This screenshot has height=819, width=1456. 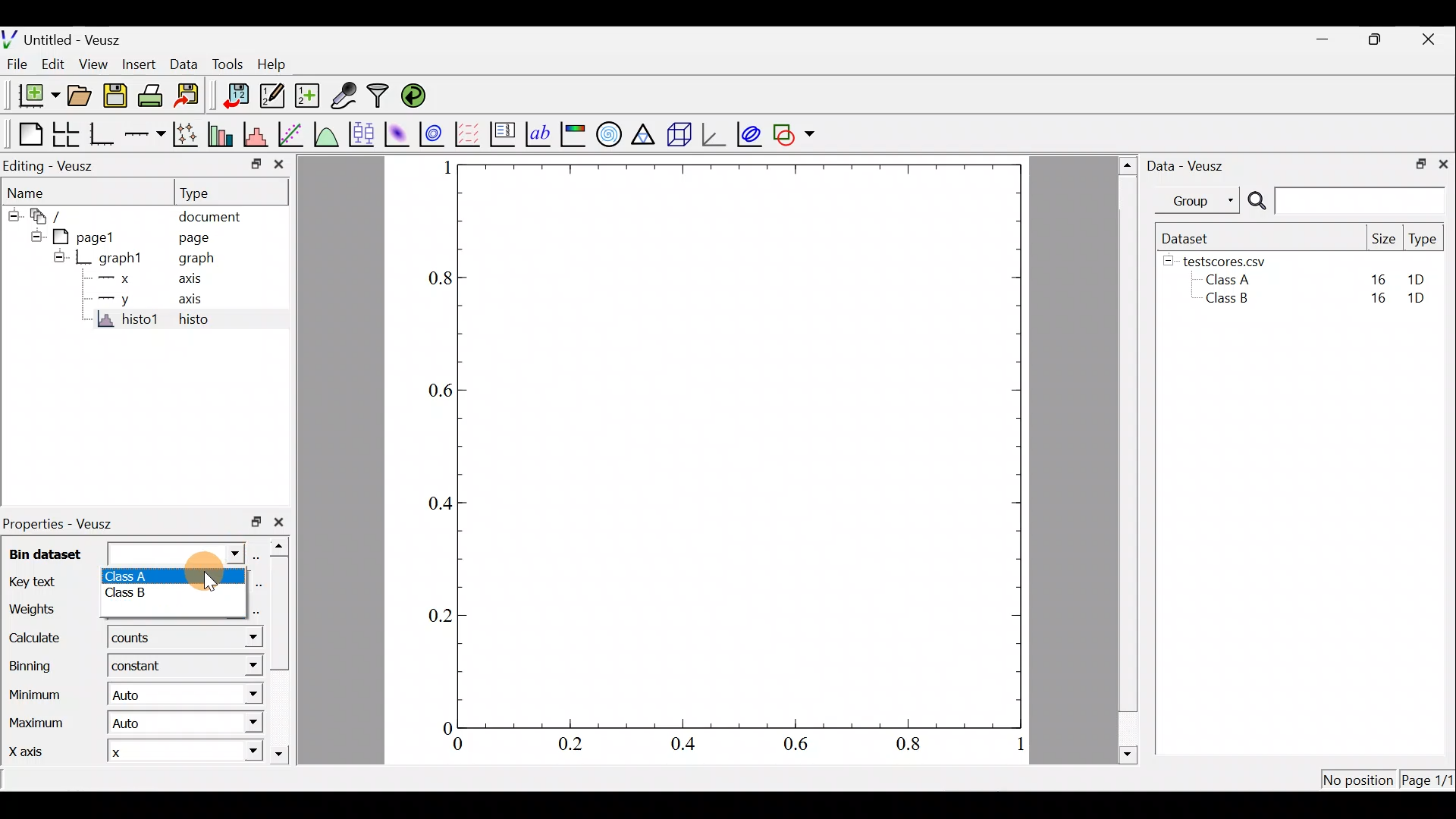 What do you see at coordinates (1423, 240) in the screenshot?
I see `Type` at bounding box center [1423, 240].